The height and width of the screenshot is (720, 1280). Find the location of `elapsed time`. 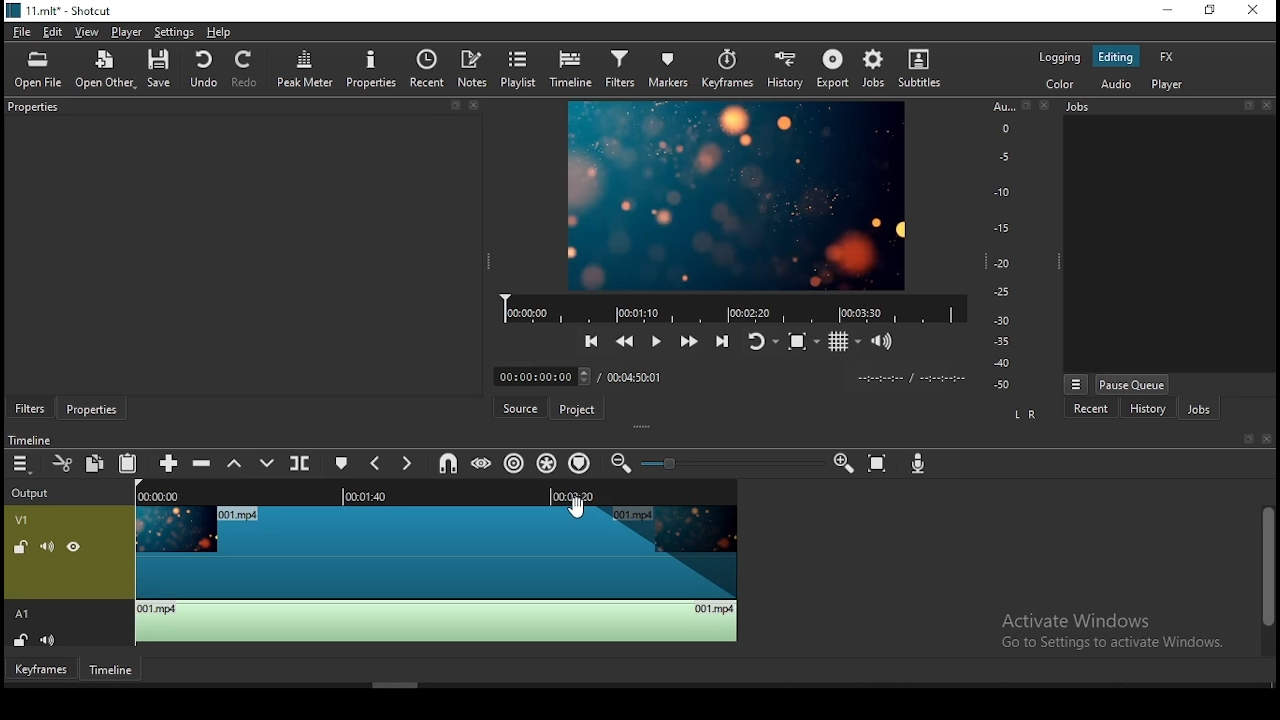

elapsed time is located at coordinates (537, 378).